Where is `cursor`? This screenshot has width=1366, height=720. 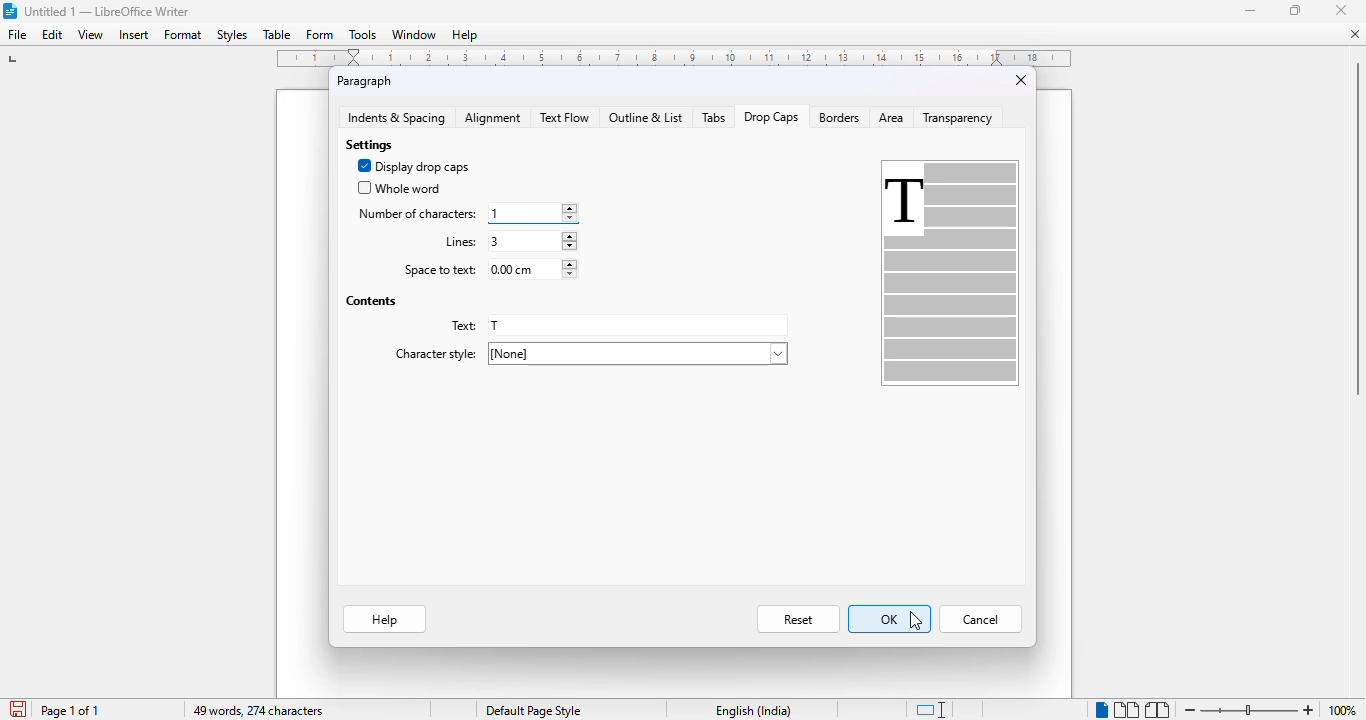 cursor is located at coordinates (915, 620).